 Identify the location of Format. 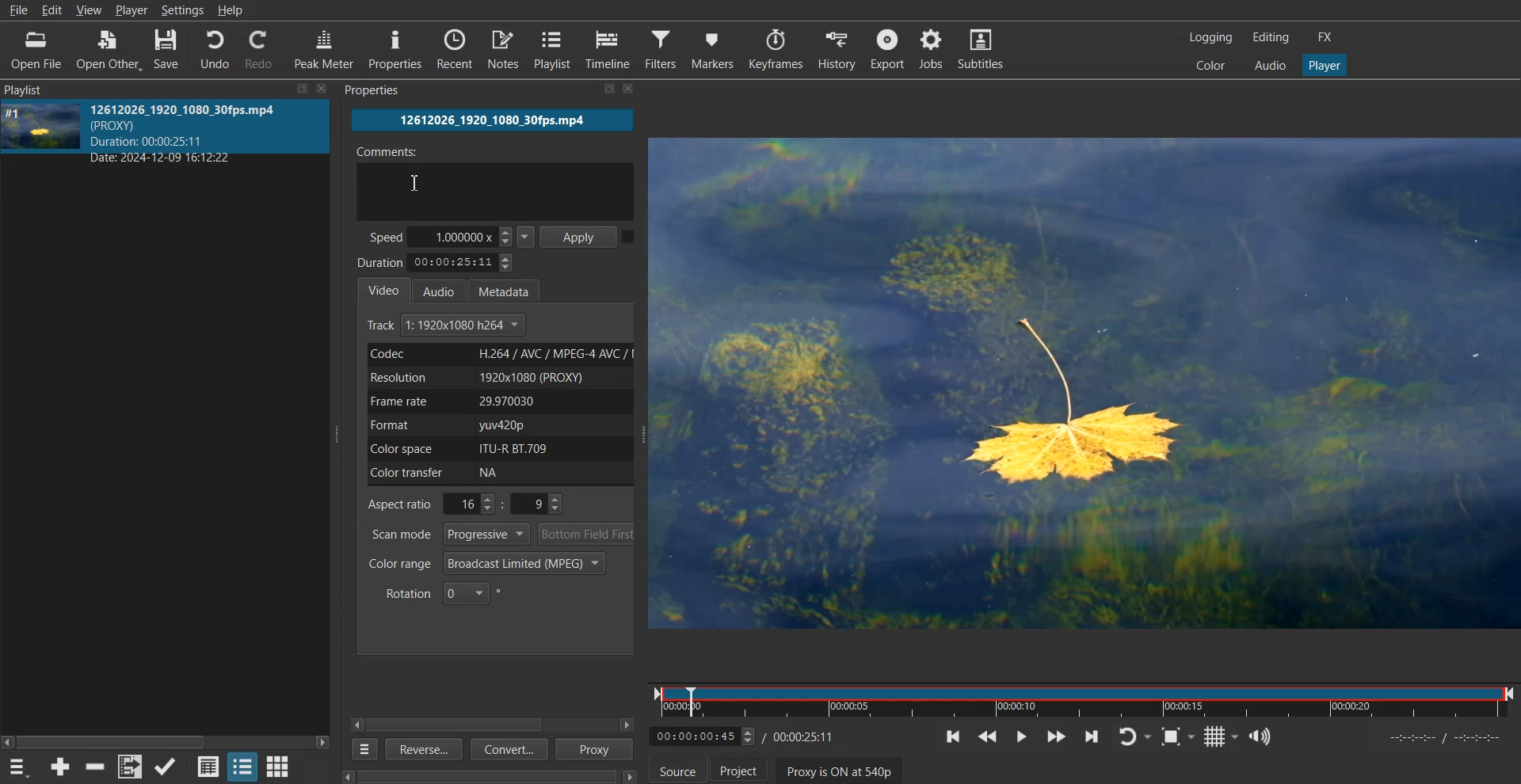
(497, 425).